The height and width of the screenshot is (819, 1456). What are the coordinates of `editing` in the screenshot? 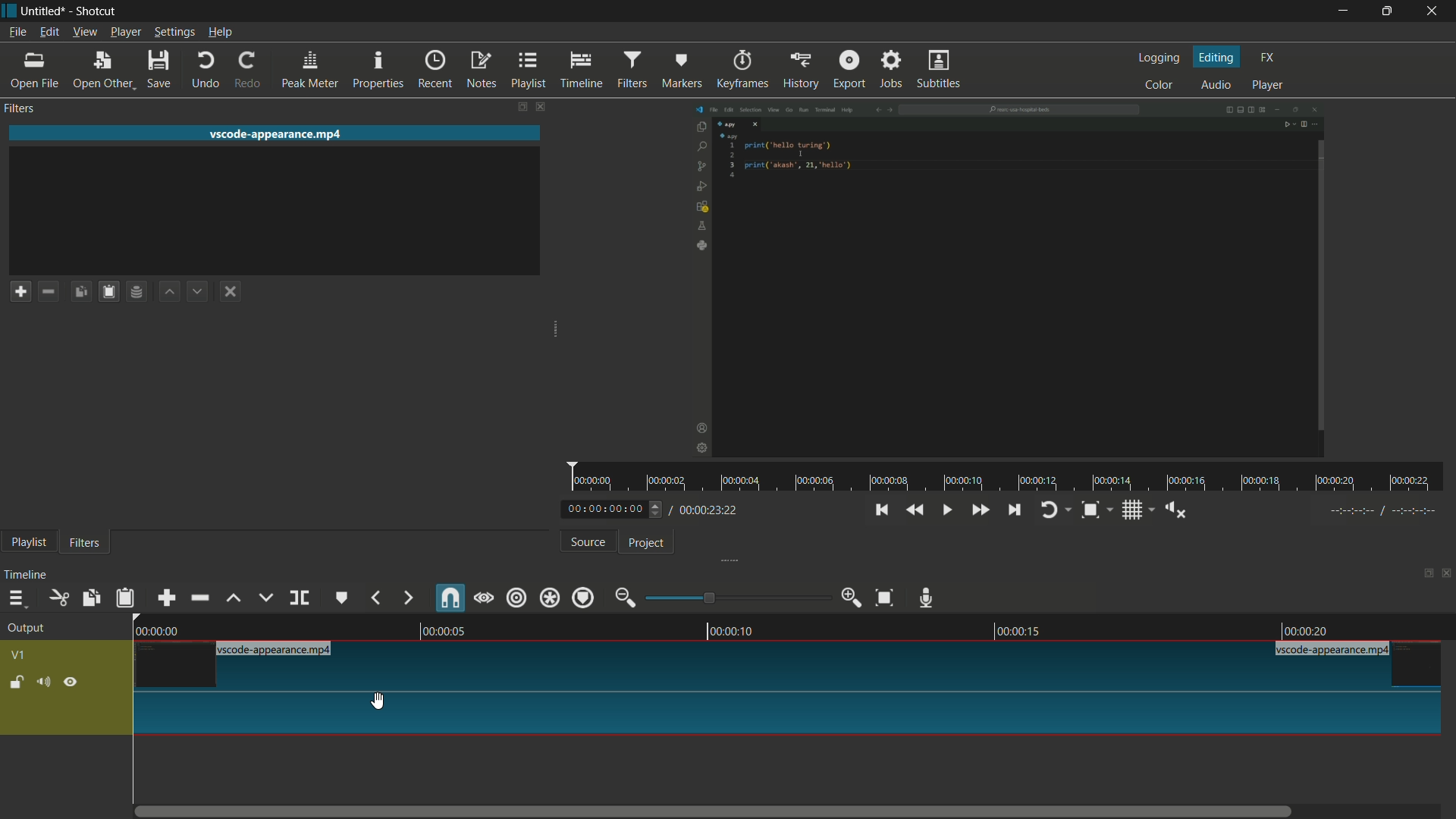 It's located at (1217, 58).